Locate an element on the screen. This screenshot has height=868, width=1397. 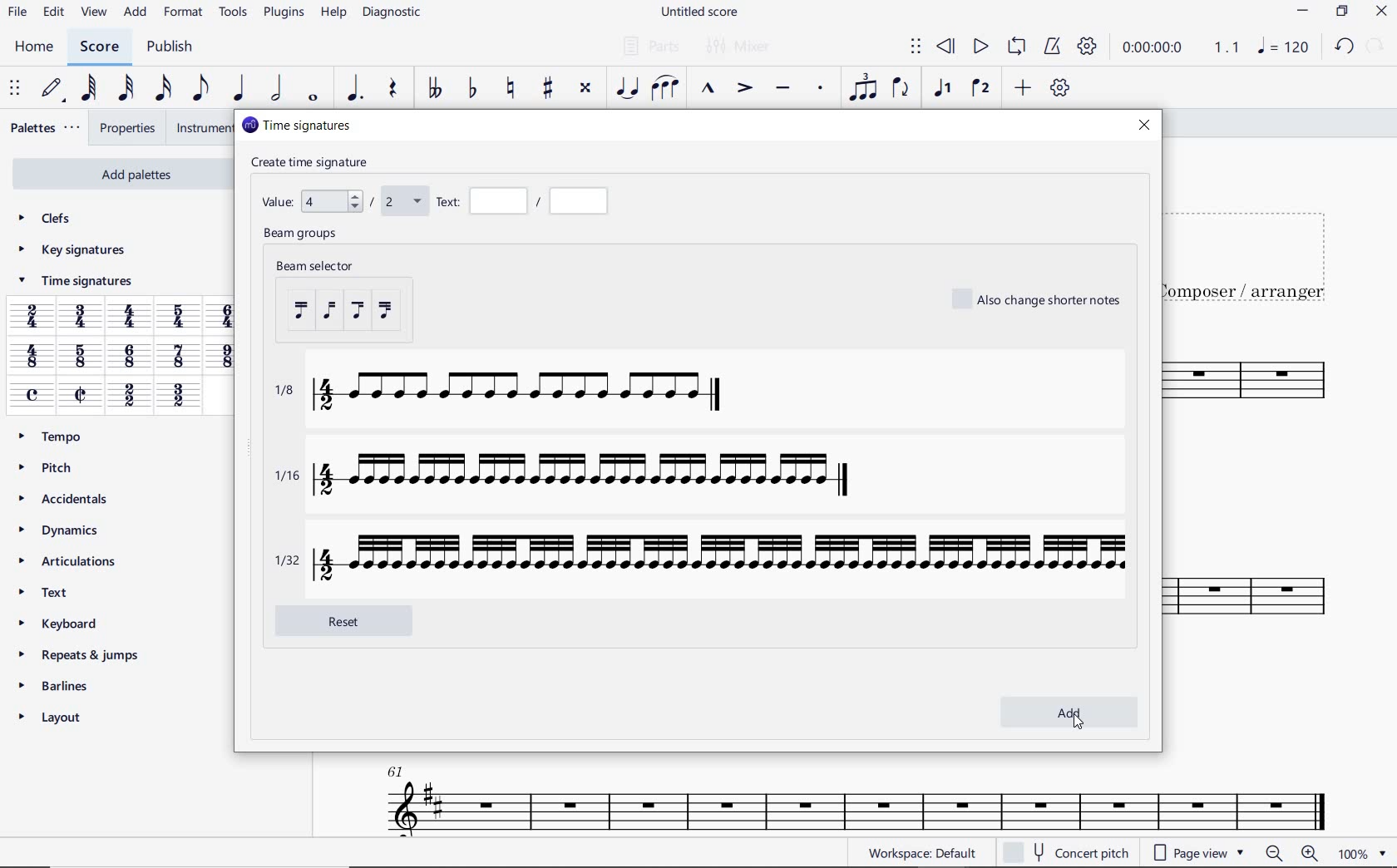
9/8 is located at coordinates (224, 356).